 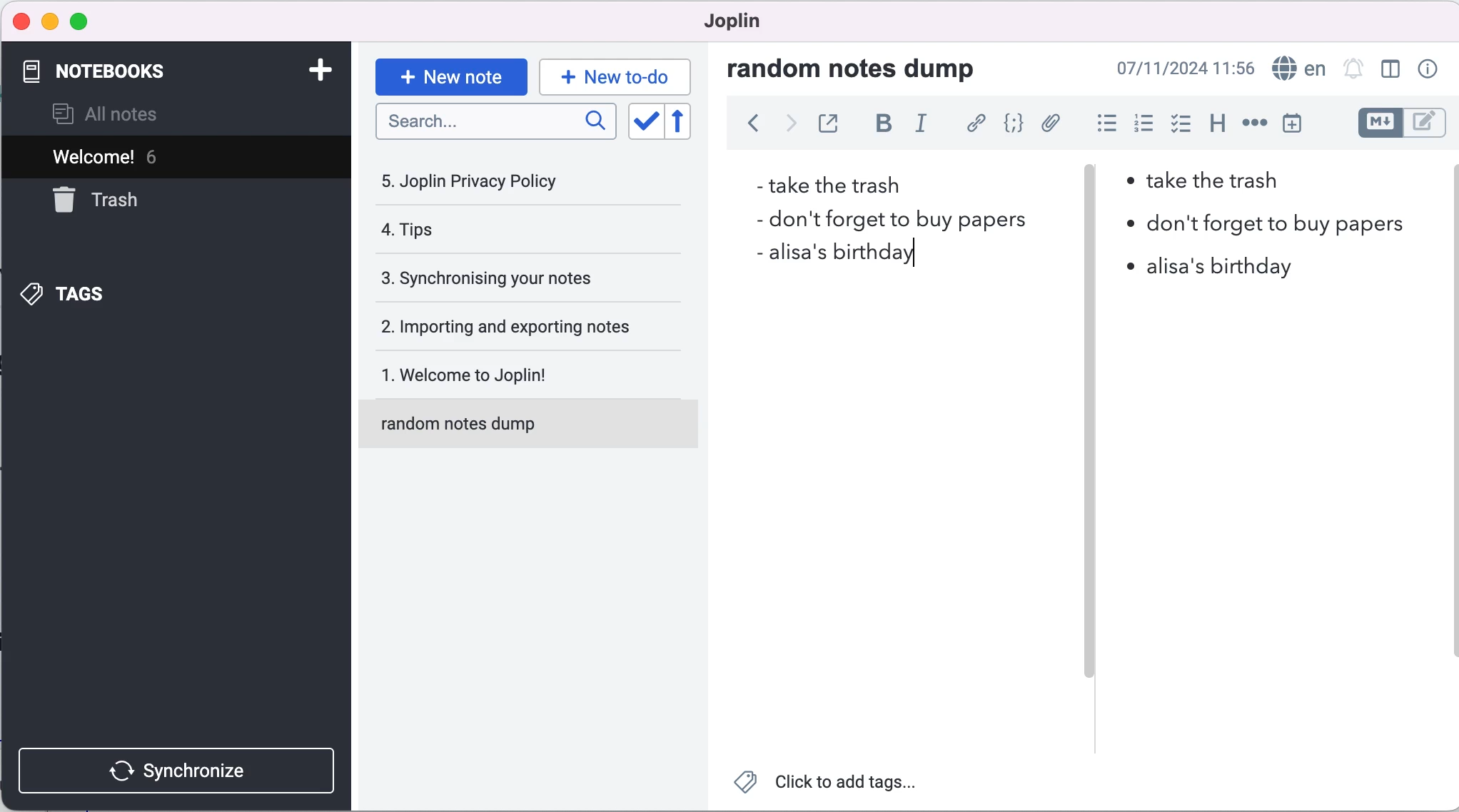 What do you see at coordinates (915, 256) in the screenshot?
I see `cursor` at bounding box center [915, 256].